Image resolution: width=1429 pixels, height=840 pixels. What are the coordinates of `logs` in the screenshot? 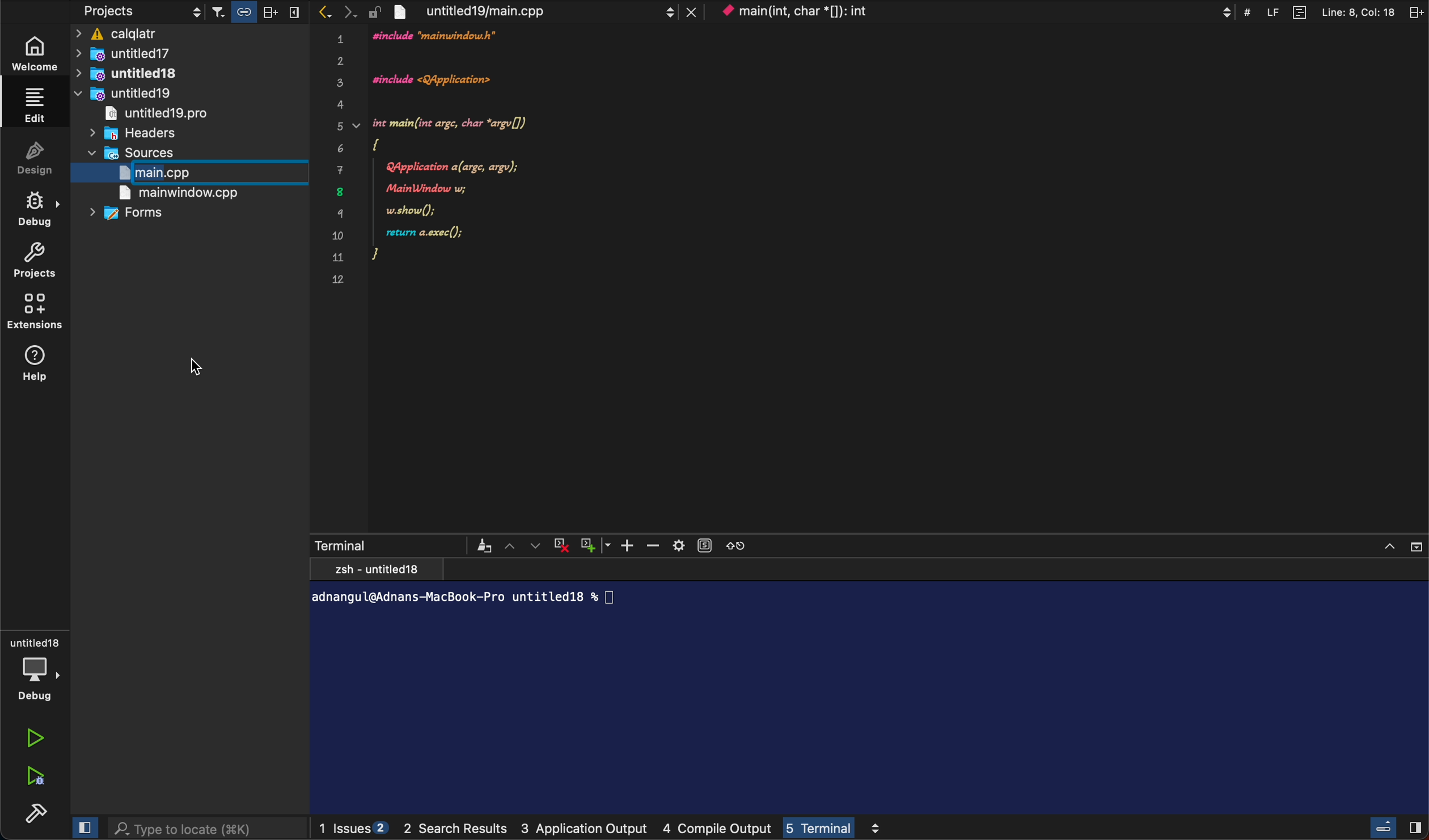 It's located at (610, 829).